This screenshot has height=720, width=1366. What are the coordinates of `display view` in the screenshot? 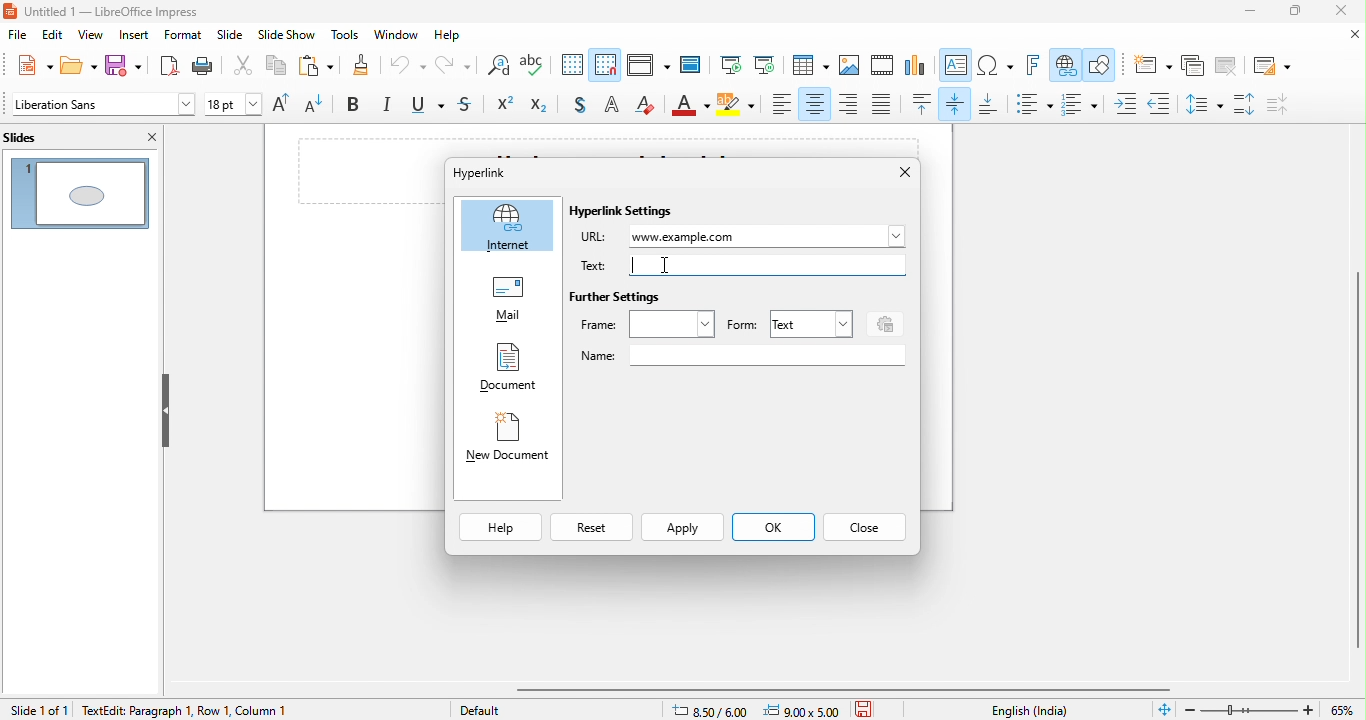 It's located at (647, 67).